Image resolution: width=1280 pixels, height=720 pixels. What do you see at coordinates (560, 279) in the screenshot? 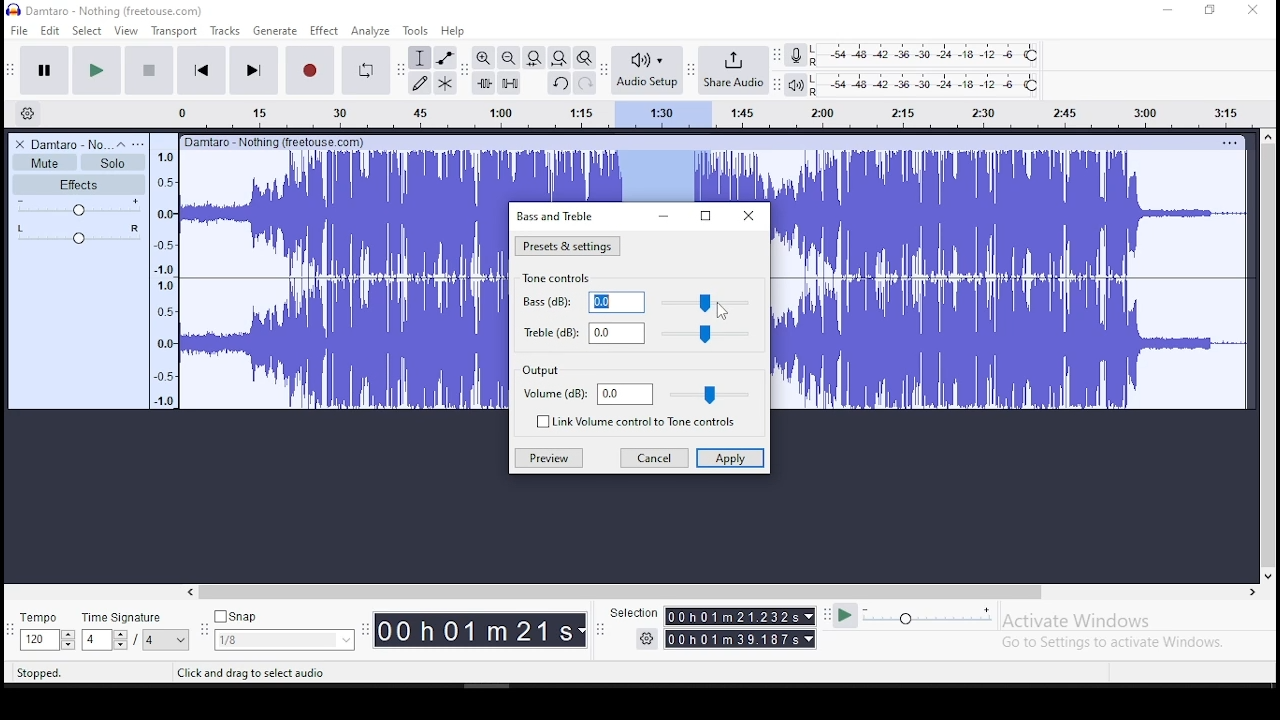
I see `tone controls` at bounding box center [560, 279].